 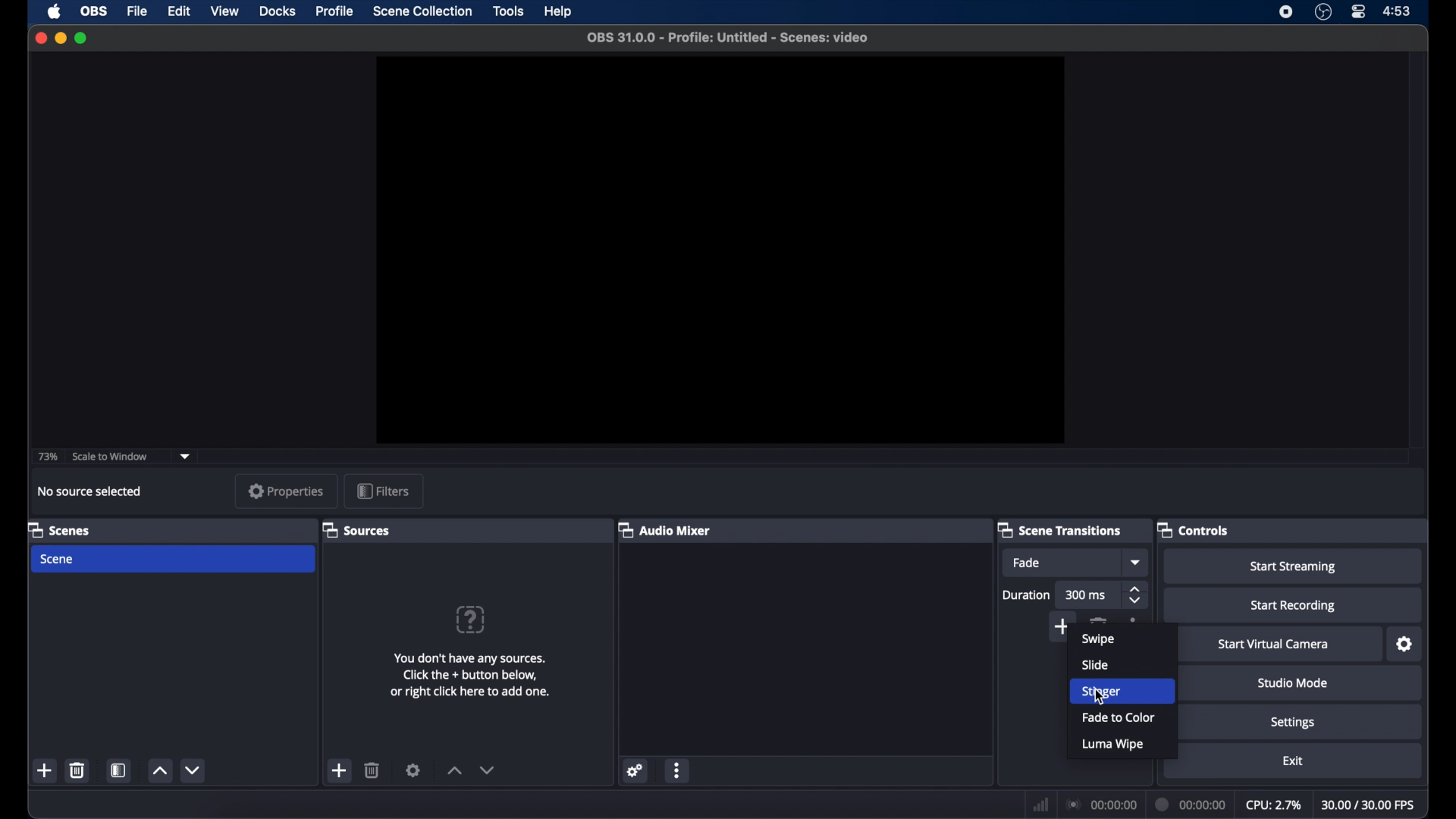 I want to click on docks, so click(x=278, y=11).